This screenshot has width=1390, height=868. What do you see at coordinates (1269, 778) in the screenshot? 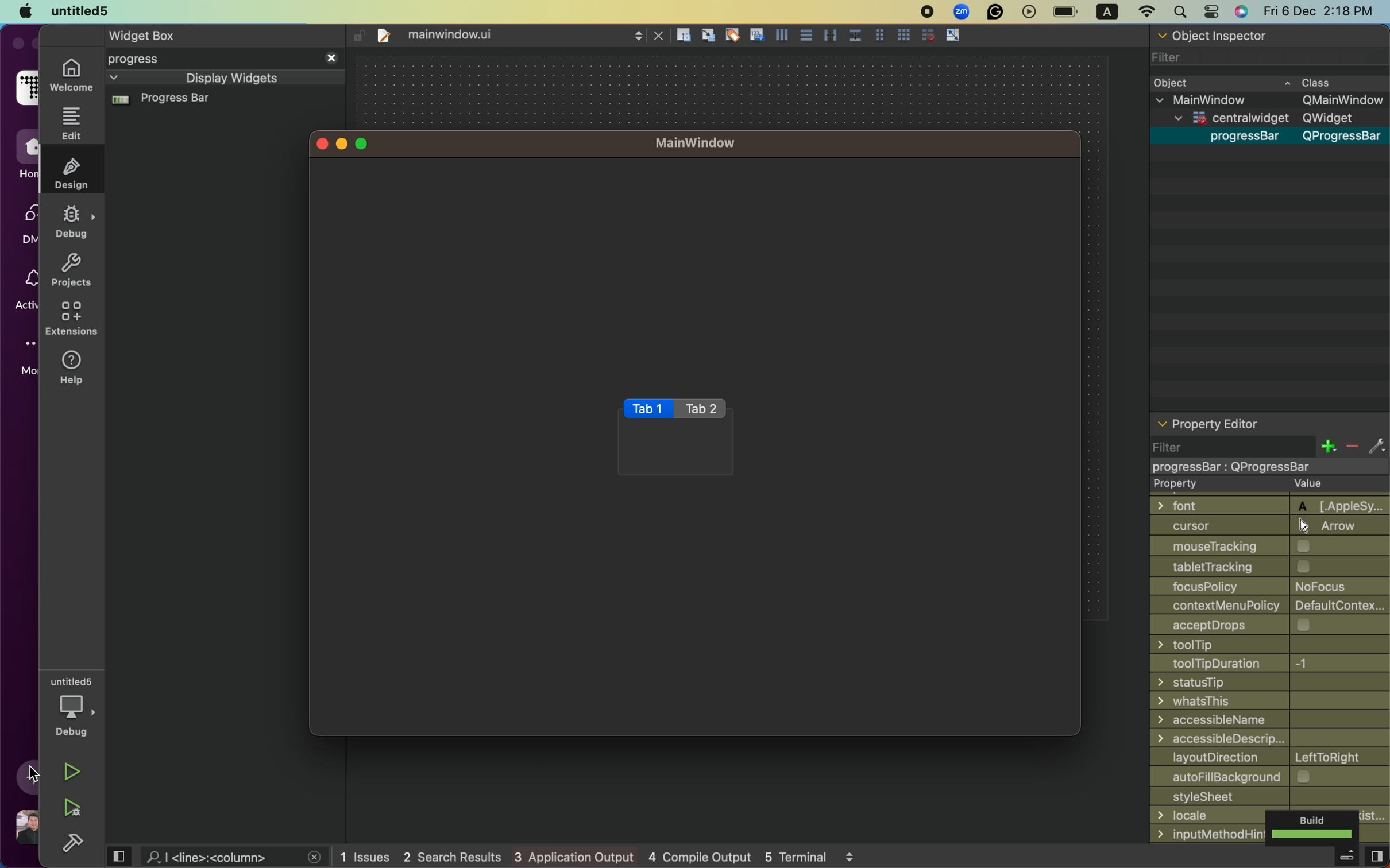
I see `autofillbackground` at bounding box center [1269, 778].